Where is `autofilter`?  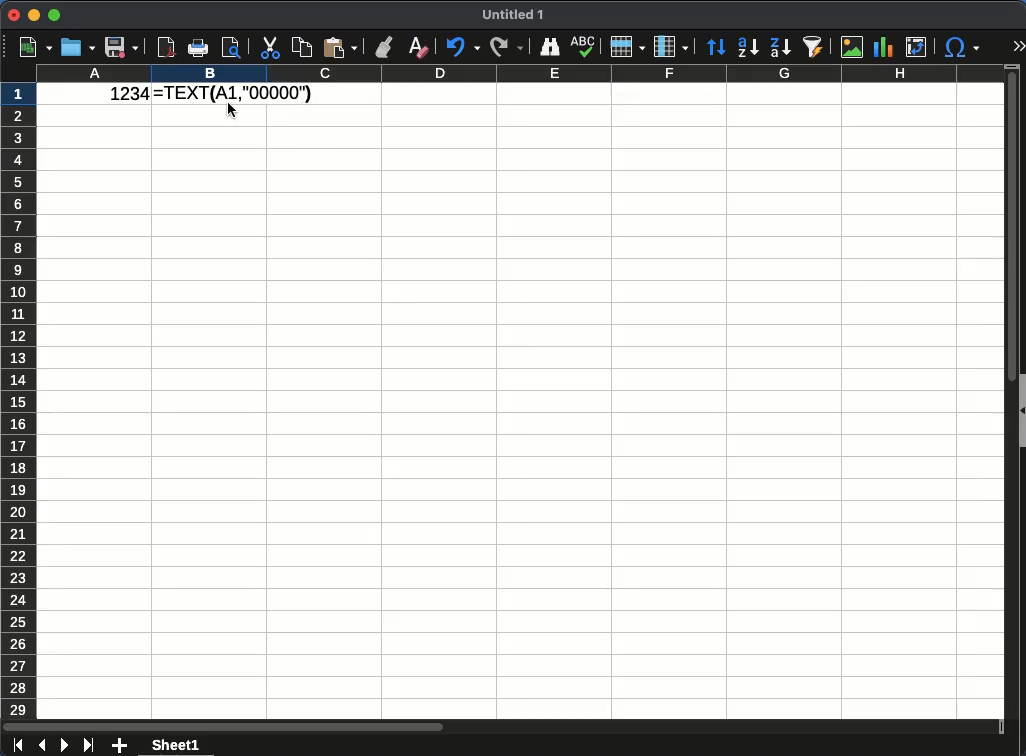
autofilter is located at coordinates (814, 45).